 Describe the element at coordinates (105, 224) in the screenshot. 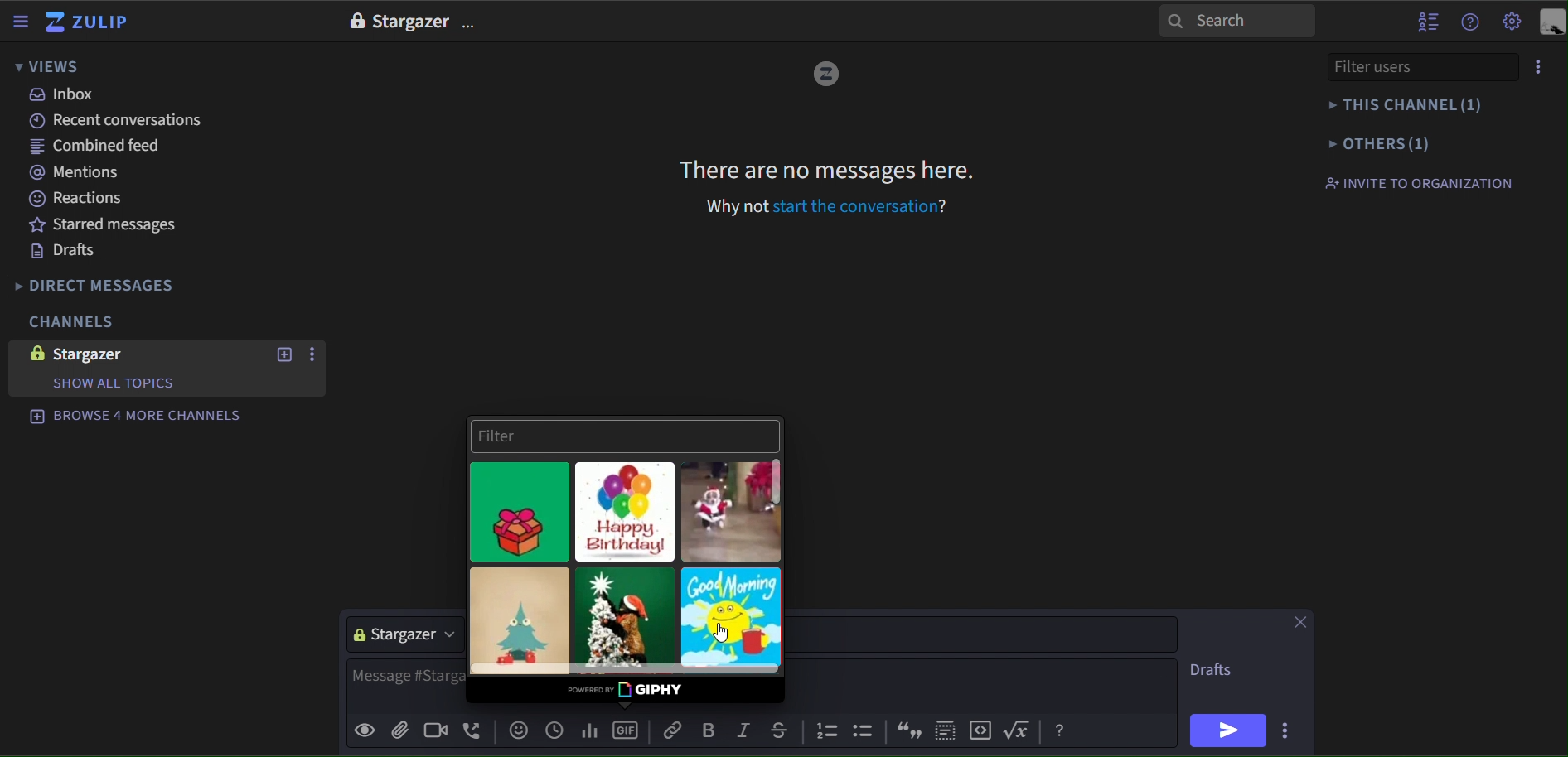

I see `starred messages` at that location.